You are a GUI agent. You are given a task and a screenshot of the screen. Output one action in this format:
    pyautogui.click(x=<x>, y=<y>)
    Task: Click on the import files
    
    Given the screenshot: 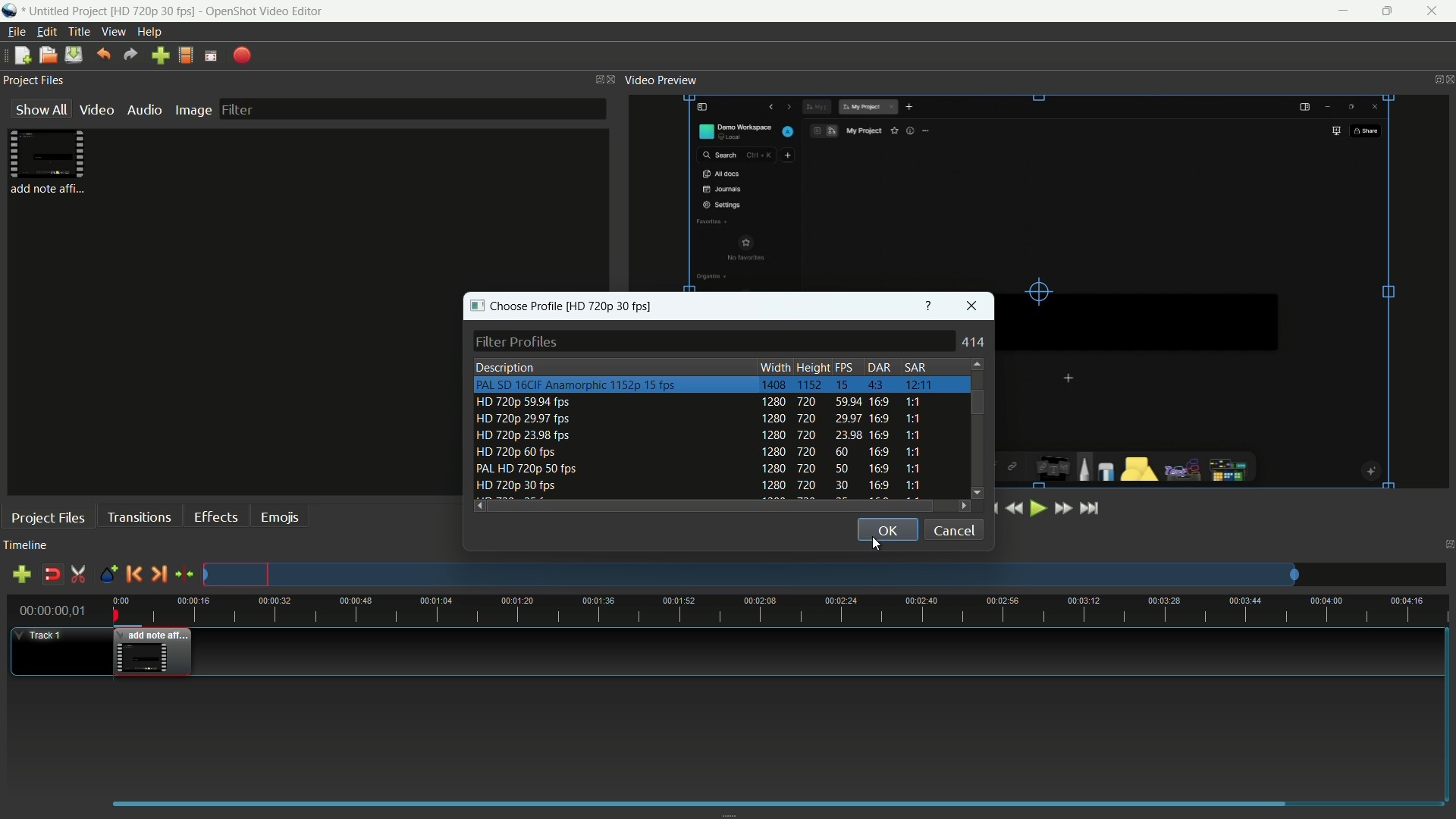 What is the action you would take?
    pyautogui.click(x=160, y=56)
    